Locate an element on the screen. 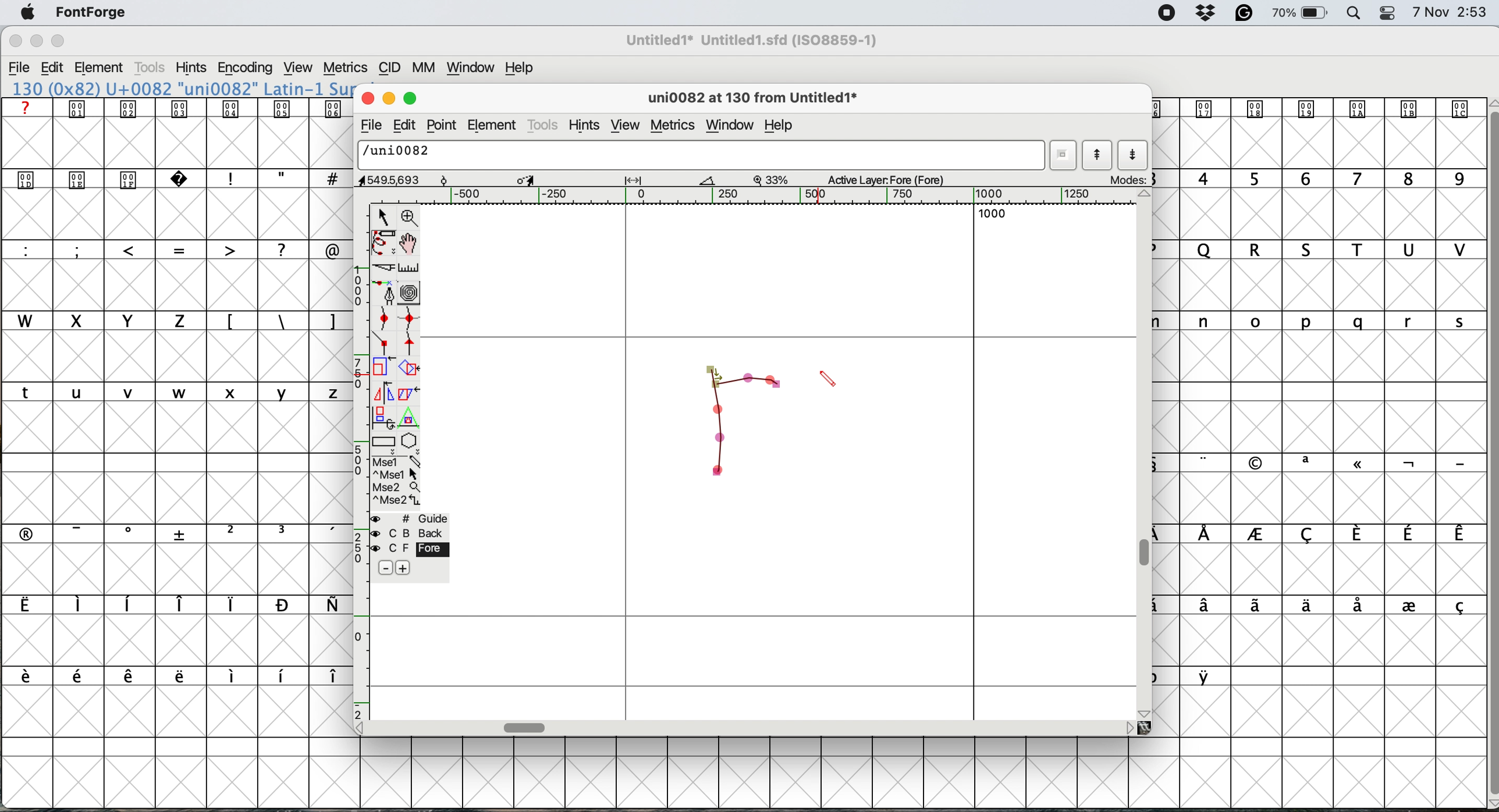 Image resolution: width=1499 pixels, height=812 pixels. file is located at coordinates (369, 127).